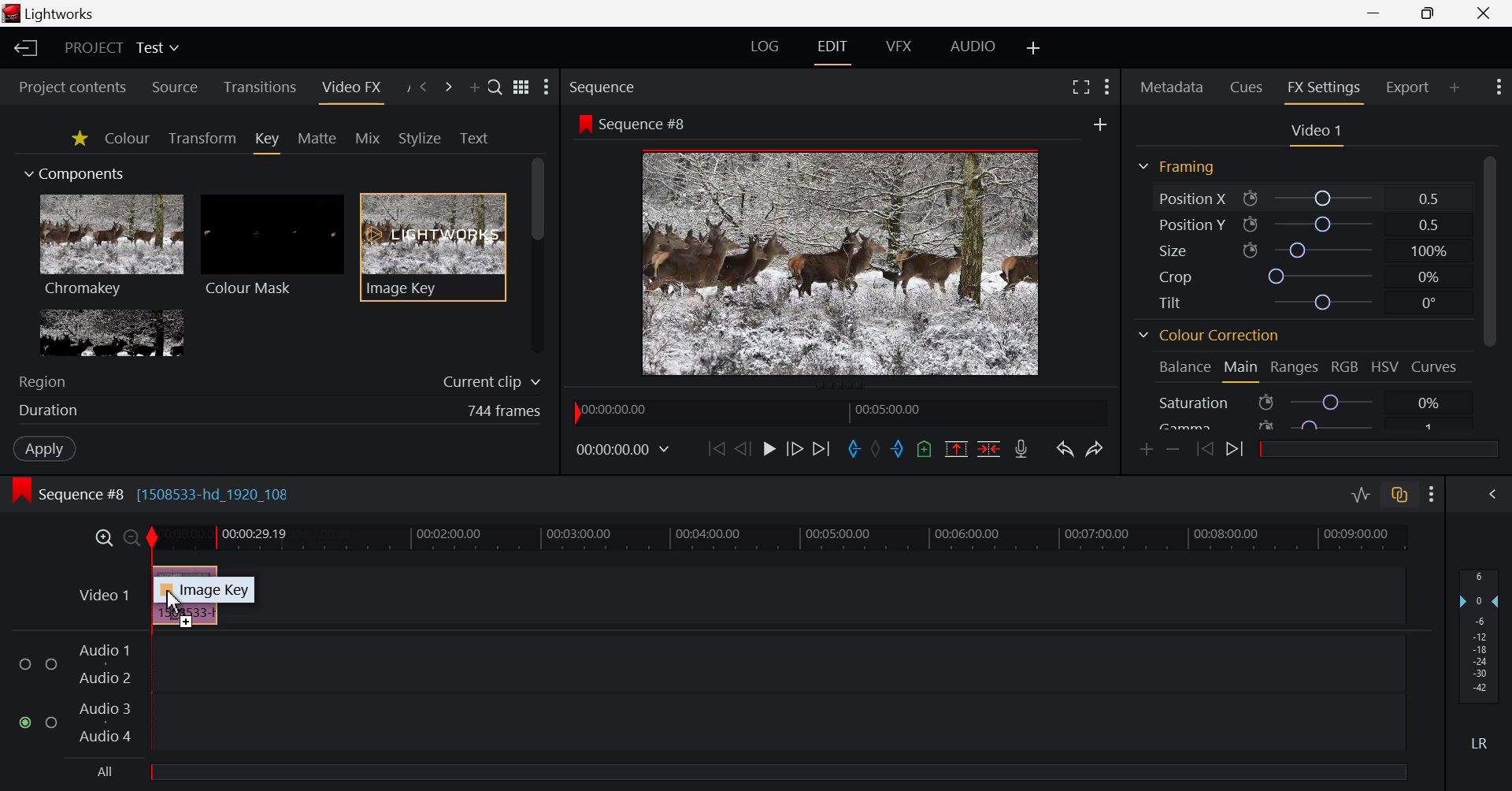 Image resolution: width=1512 pixels, height=791 pixels. I want to click on Add Layout, so click(1032, 45).